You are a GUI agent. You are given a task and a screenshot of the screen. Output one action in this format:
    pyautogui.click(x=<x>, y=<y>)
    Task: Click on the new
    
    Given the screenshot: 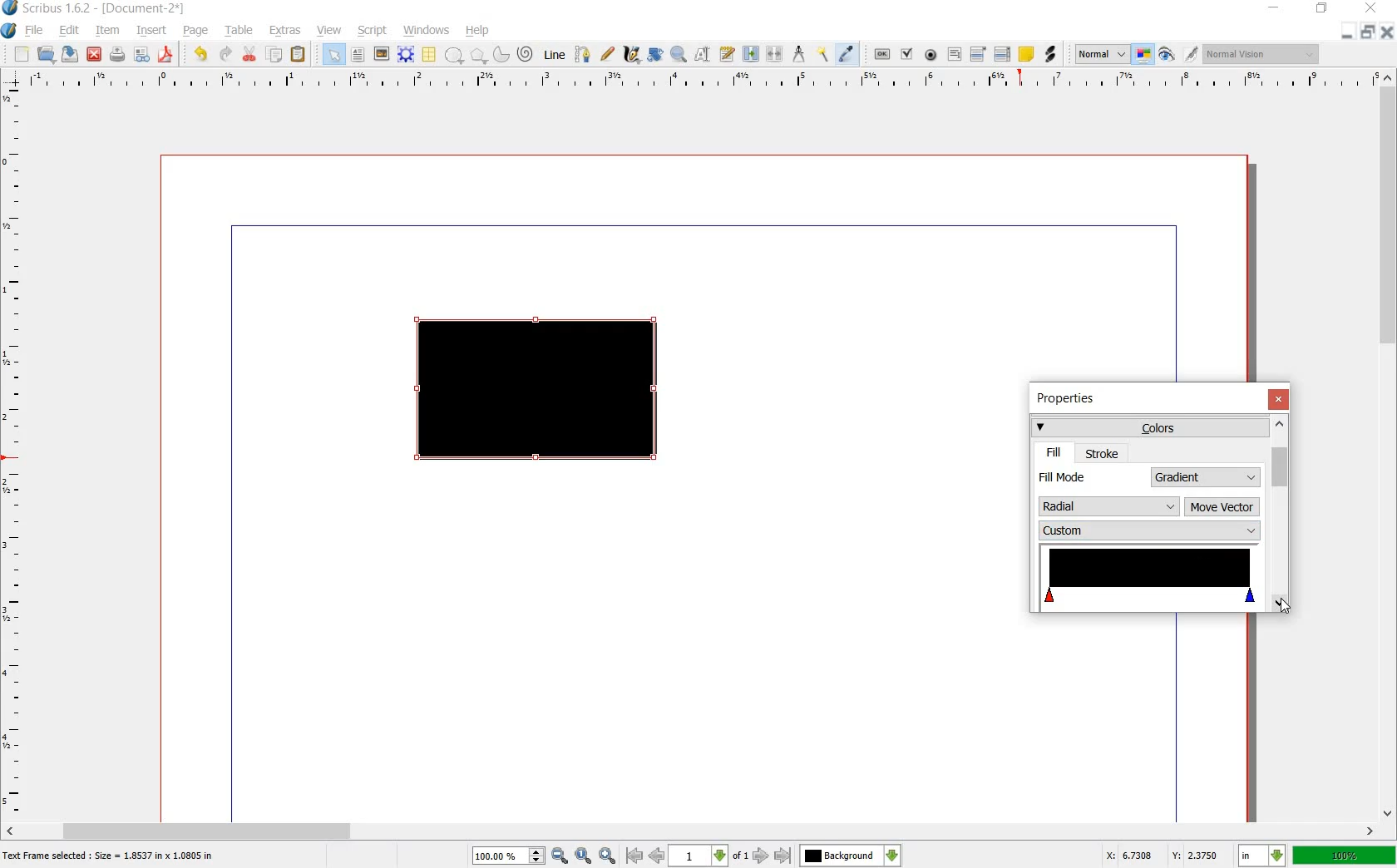 What is the action you would take?
    pyautogui.click(x=22, y=55)
    